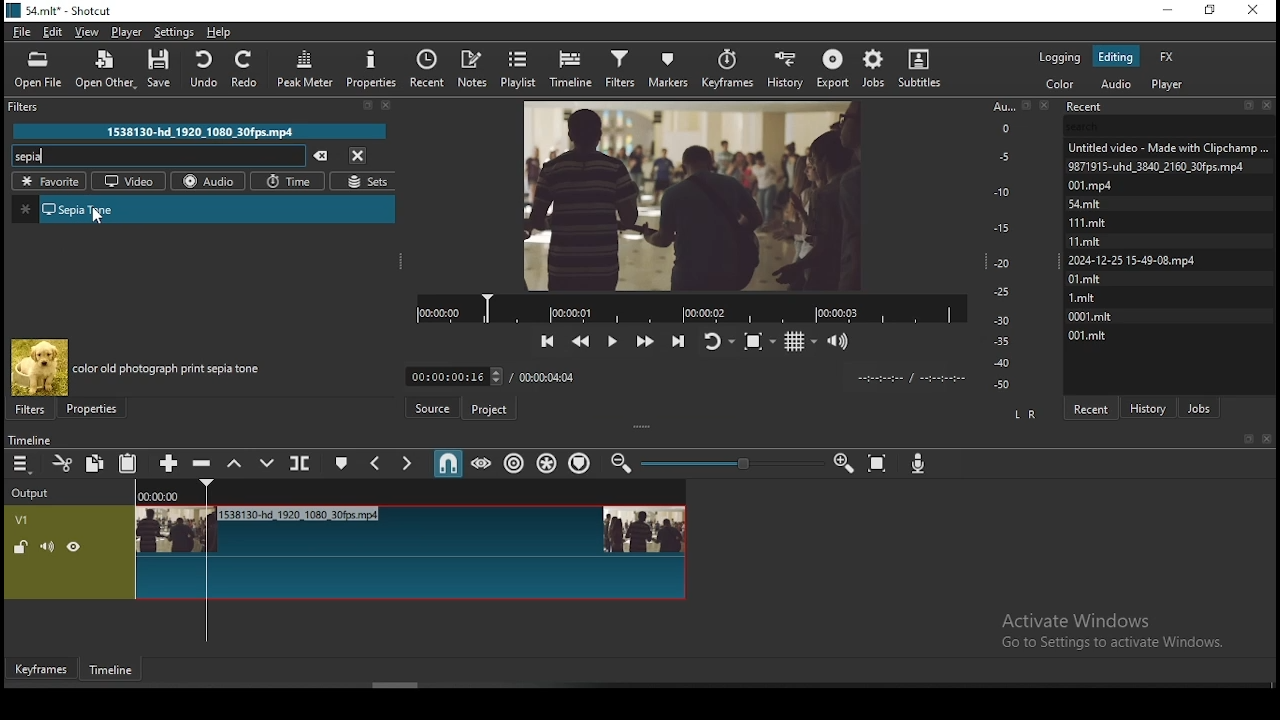  What do you see at coordinates (1059, 83) in the screenshot?
I see `color` at bounding box center [1059, 83].